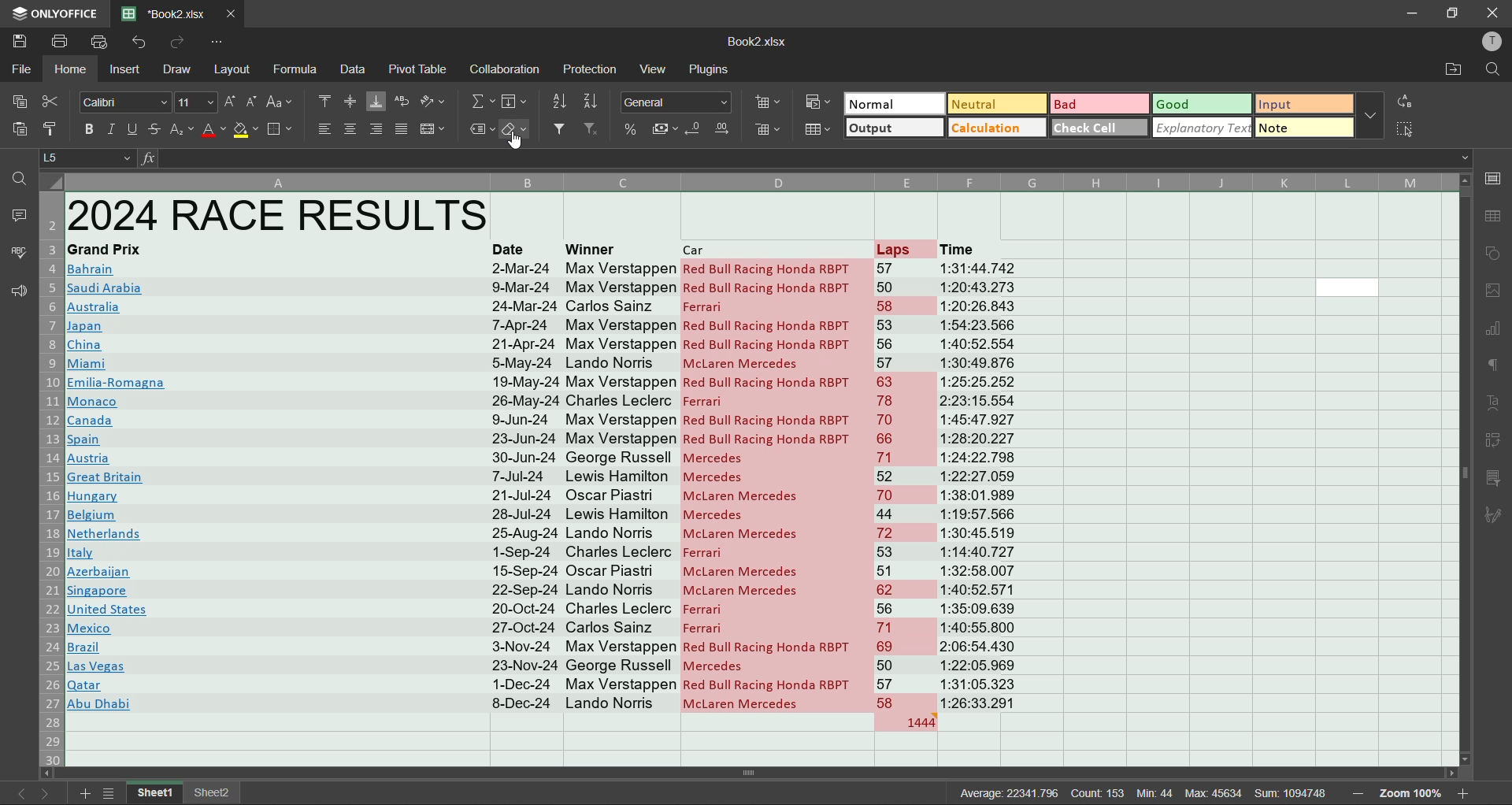 Image resolution: width=1512 pixels, height=805 pixels. Describe the element at coordinates (193, 101) in the screenshot. I see `font size` at that location.